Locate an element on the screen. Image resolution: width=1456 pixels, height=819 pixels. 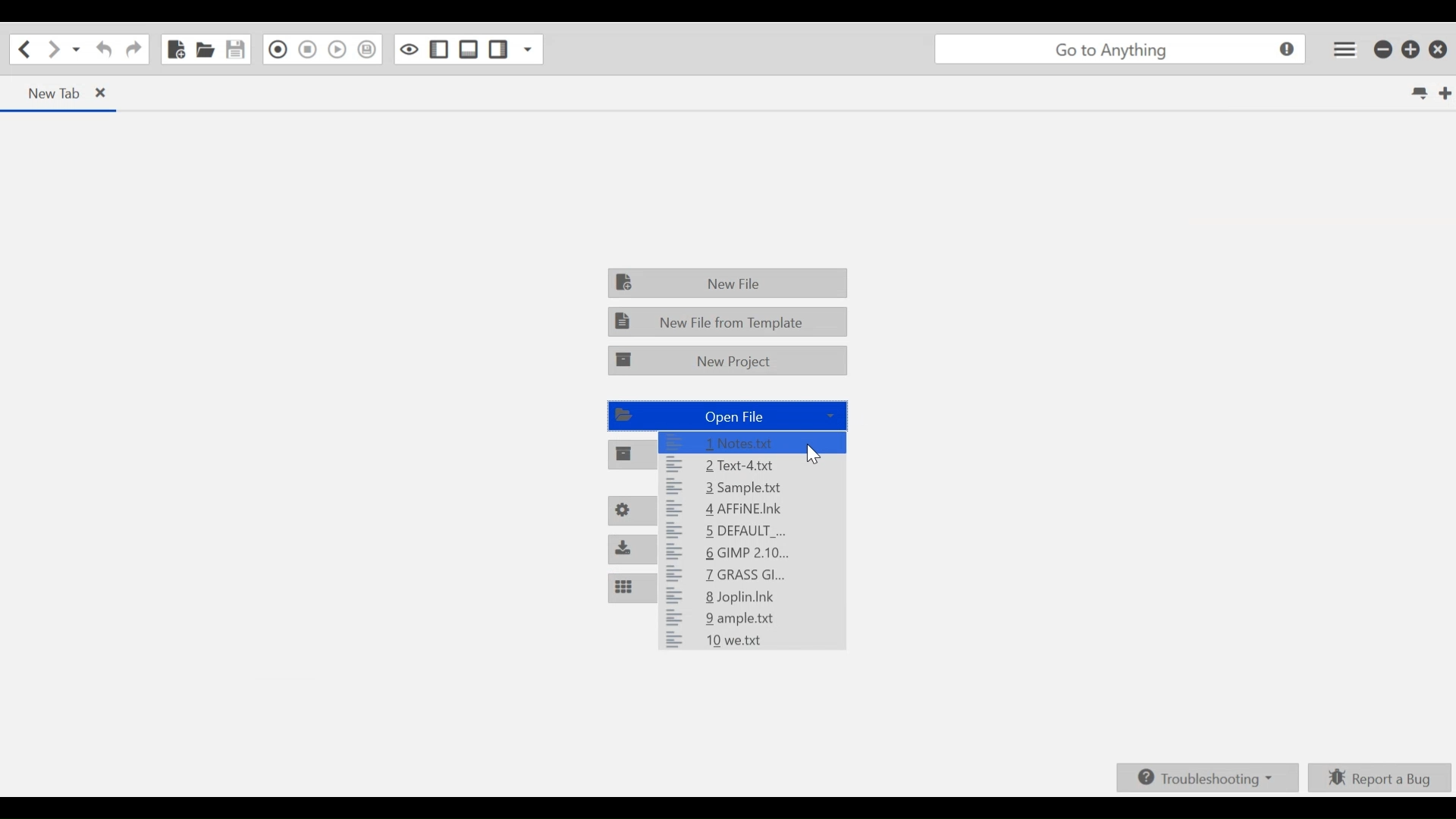
New File is located at coordinates (726, 283).